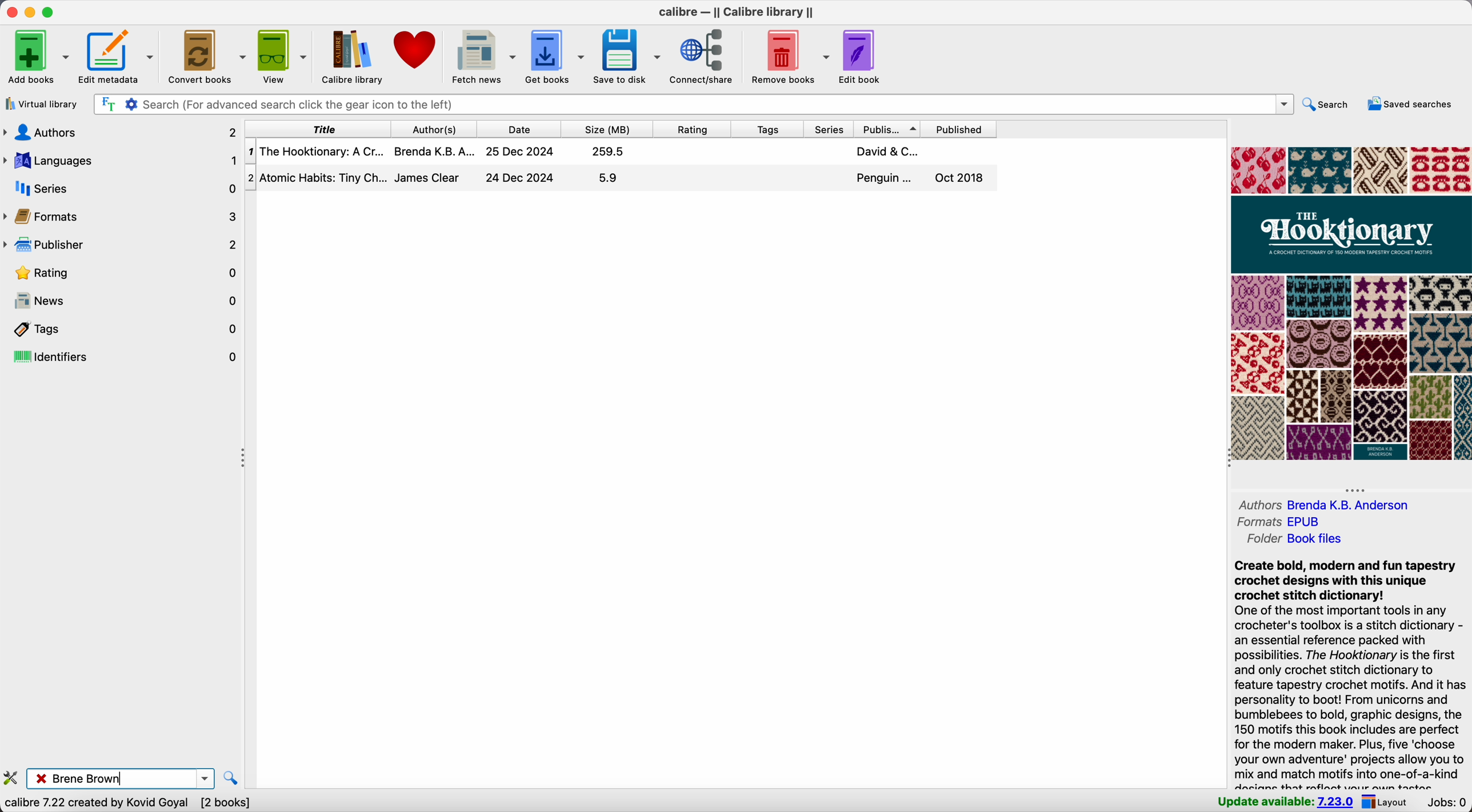 The height and width of the screenshot is (812, 1472). Describe the element at coordinates (1278, 522) in the screenshot. I see `formats` at that location.